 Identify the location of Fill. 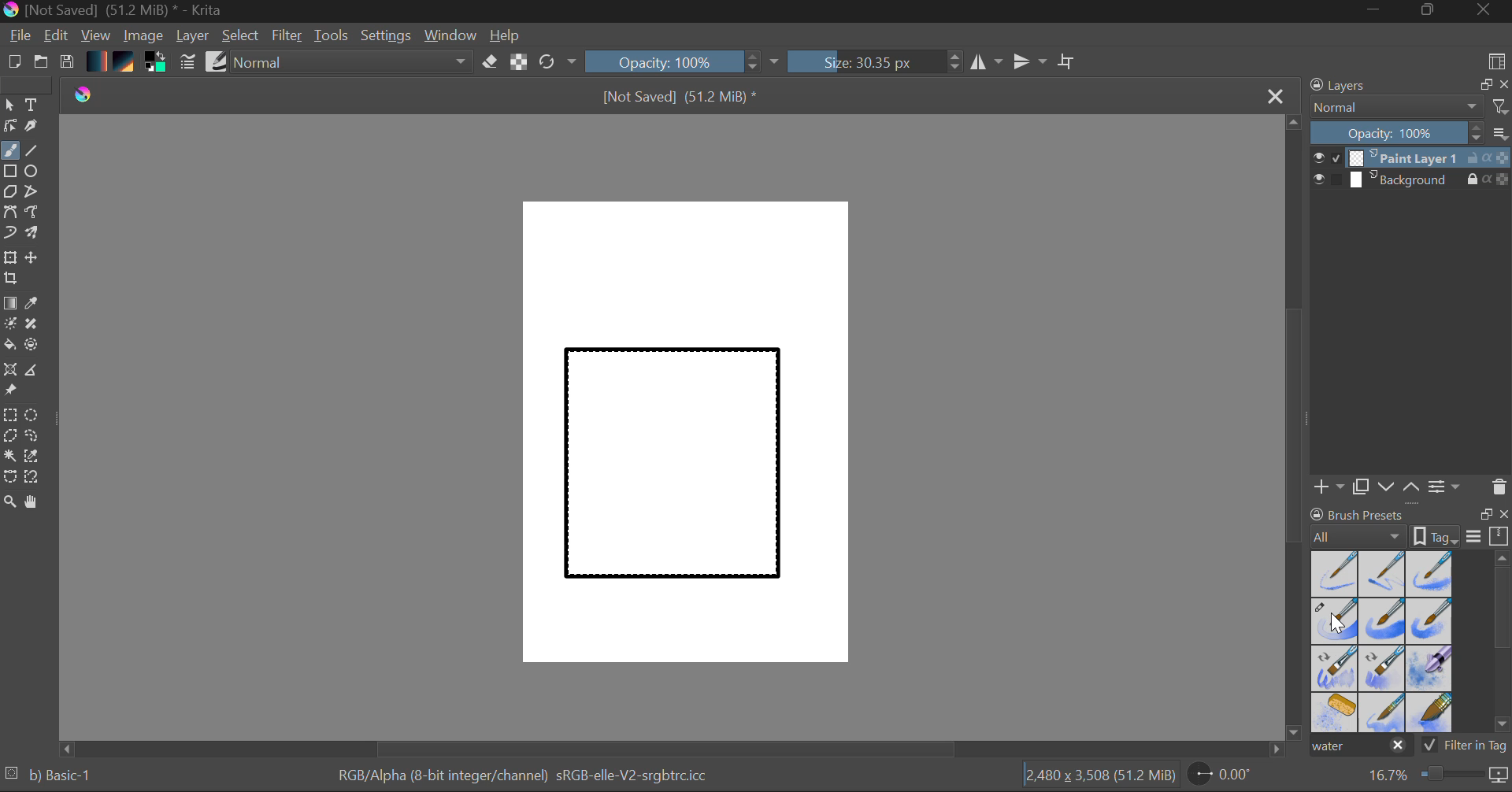
(9, 347).